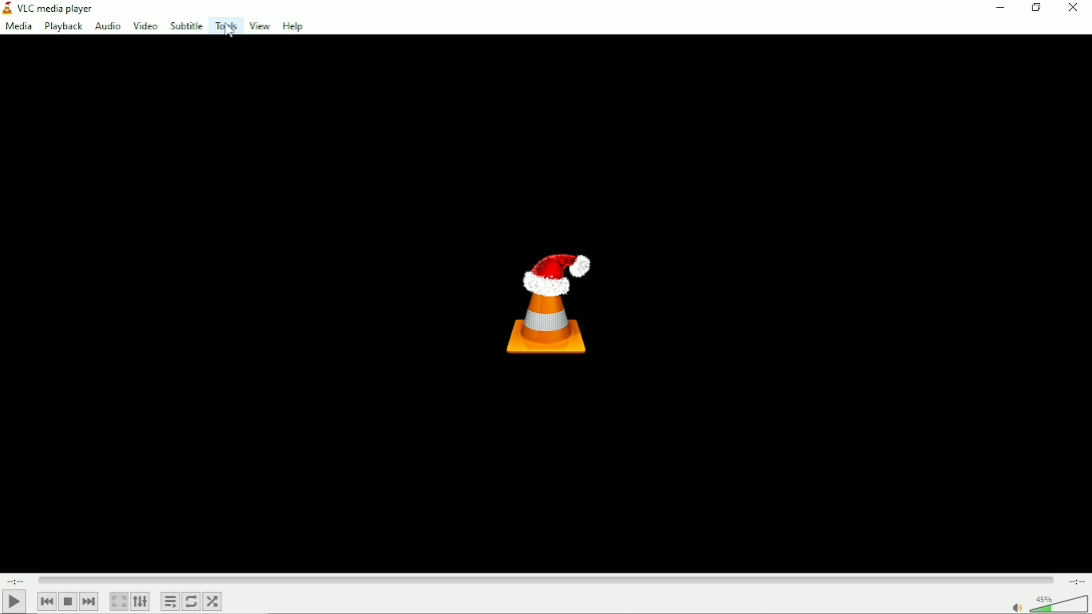 This screenshot has height=614, width=1092. Describe the element at coordinates (1047, 603) in the screenshot. I see `Volume` at that location.